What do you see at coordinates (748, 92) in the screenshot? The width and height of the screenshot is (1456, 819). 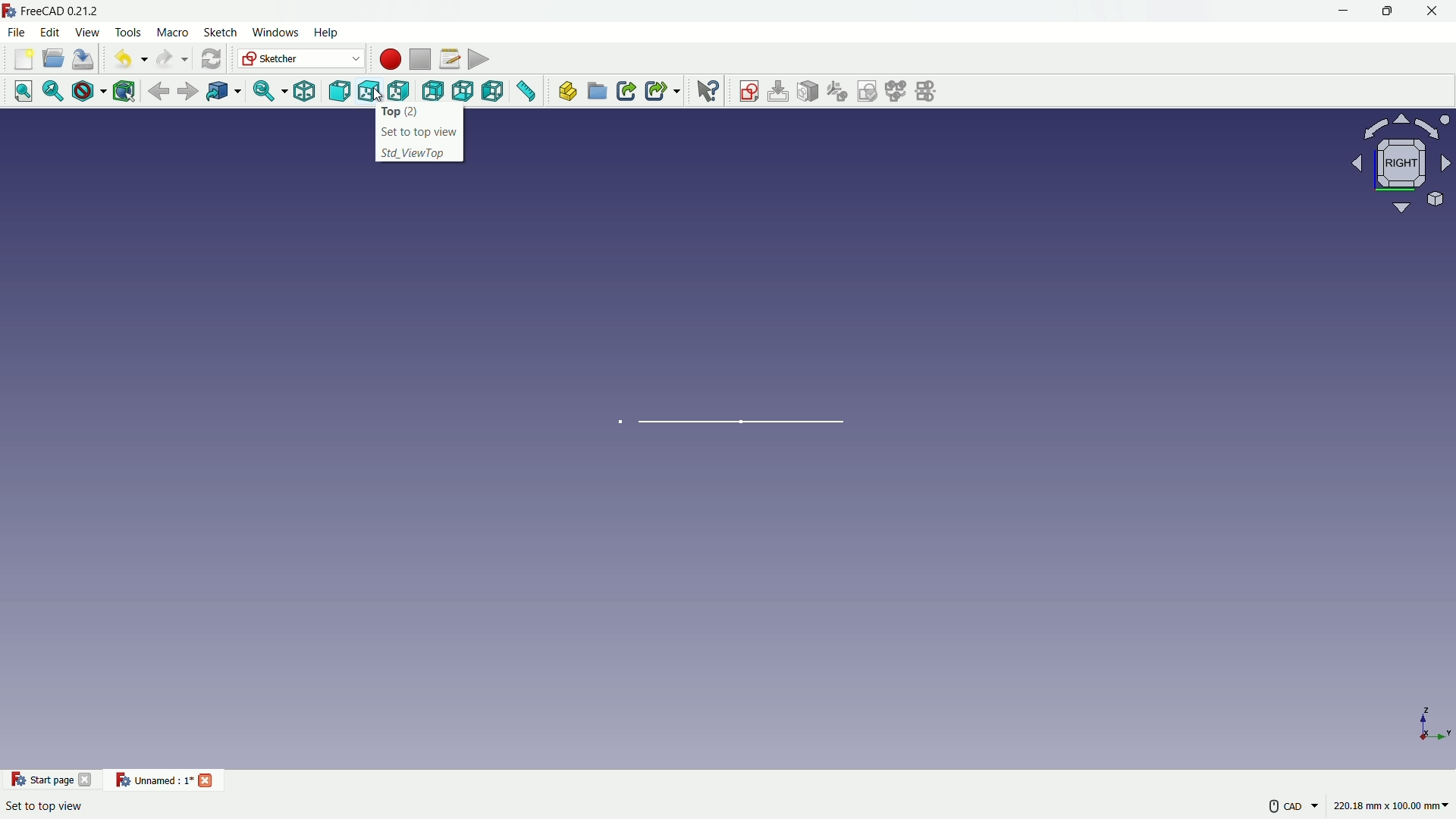 I see `create sketch` at bounding box center [748, 92].